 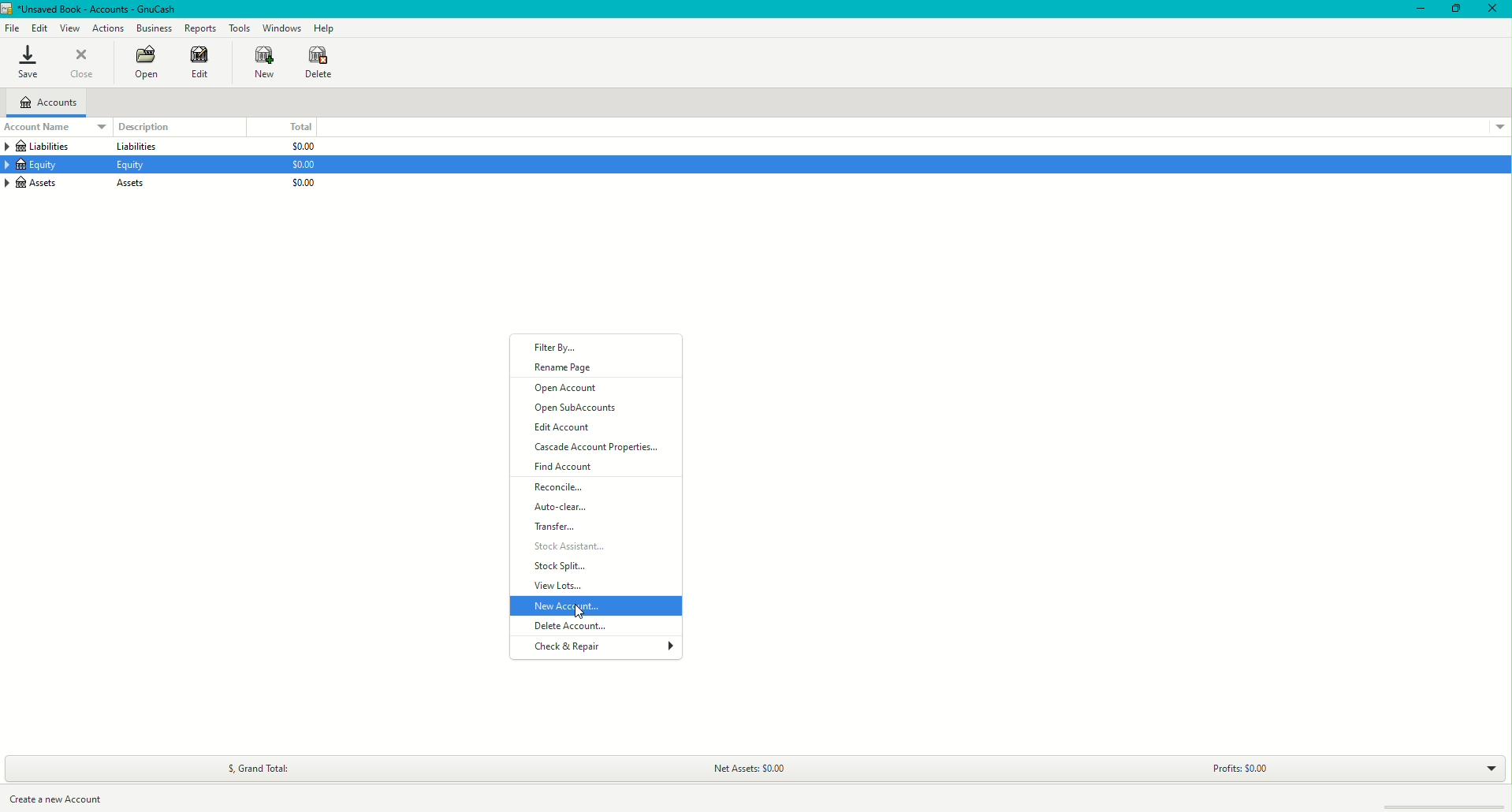 What do you see at coordinates (12, 28) in the screenshot?
I see `File` at bounding box center [12, 28].